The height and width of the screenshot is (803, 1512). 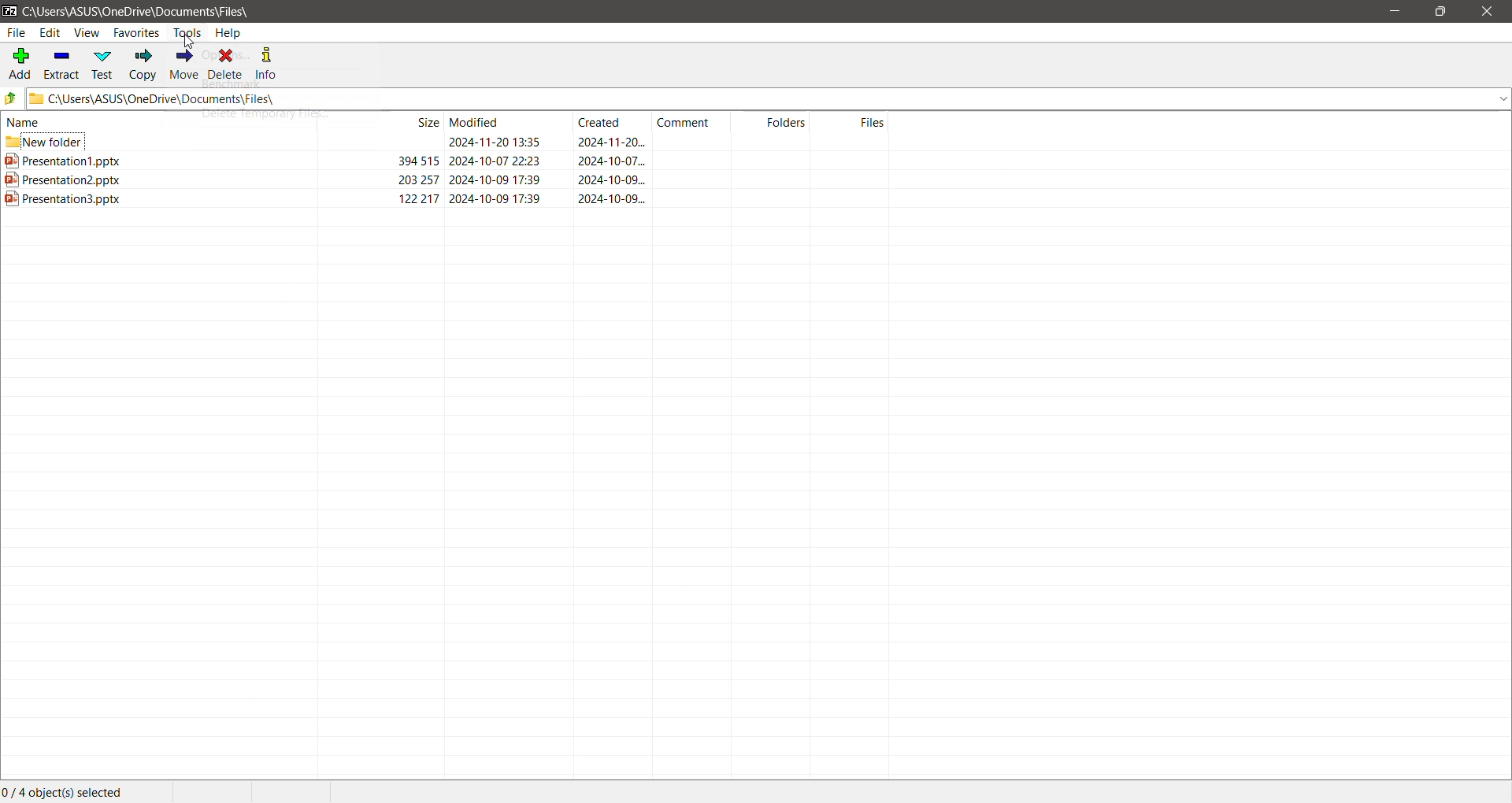 I want to click on C:\Users\ASUS\OneDrive\Documents\Files\, so click(x=146, y=12).